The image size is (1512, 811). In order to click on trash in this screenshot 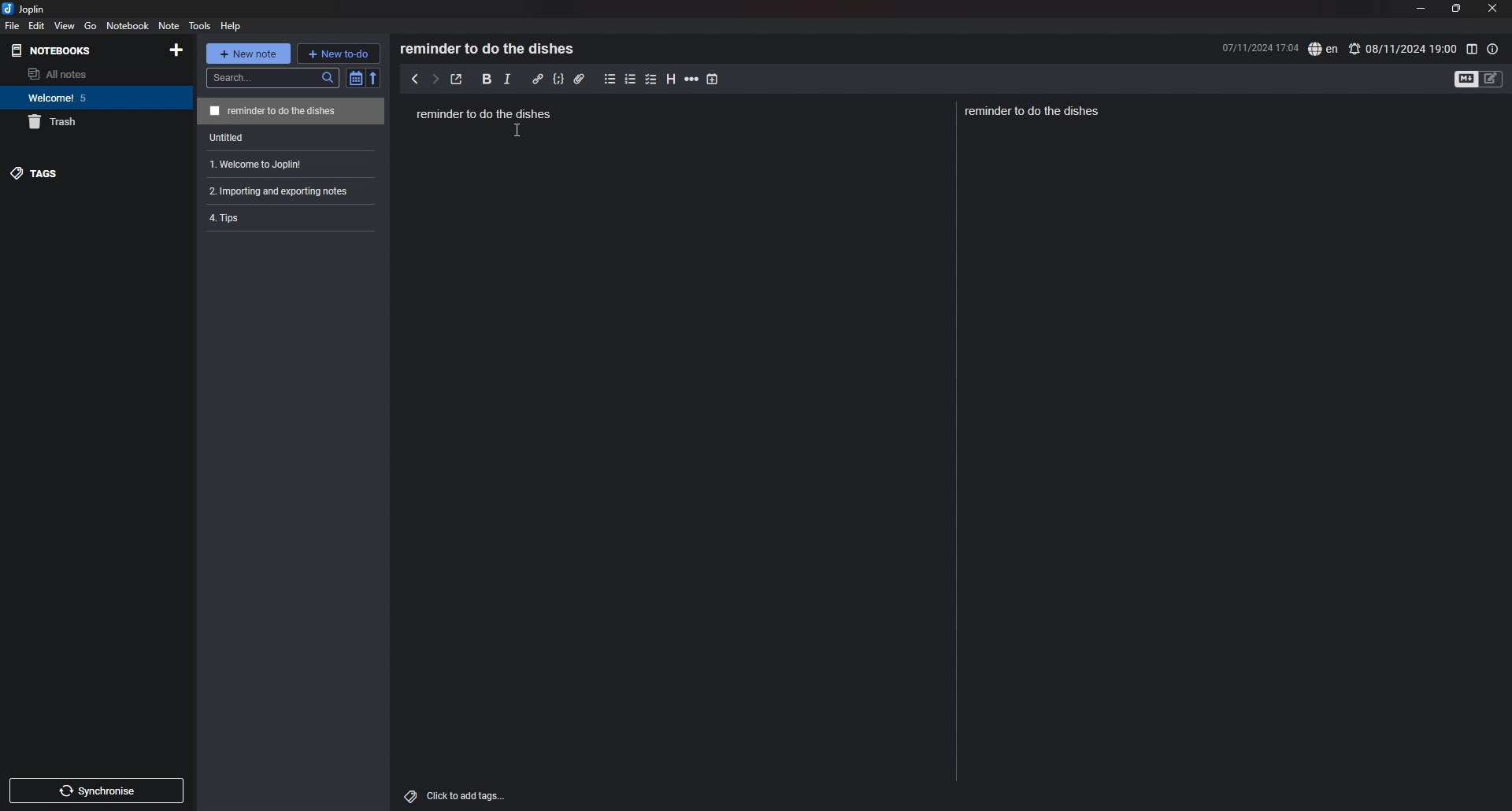, I will do `click(87, 122)`.